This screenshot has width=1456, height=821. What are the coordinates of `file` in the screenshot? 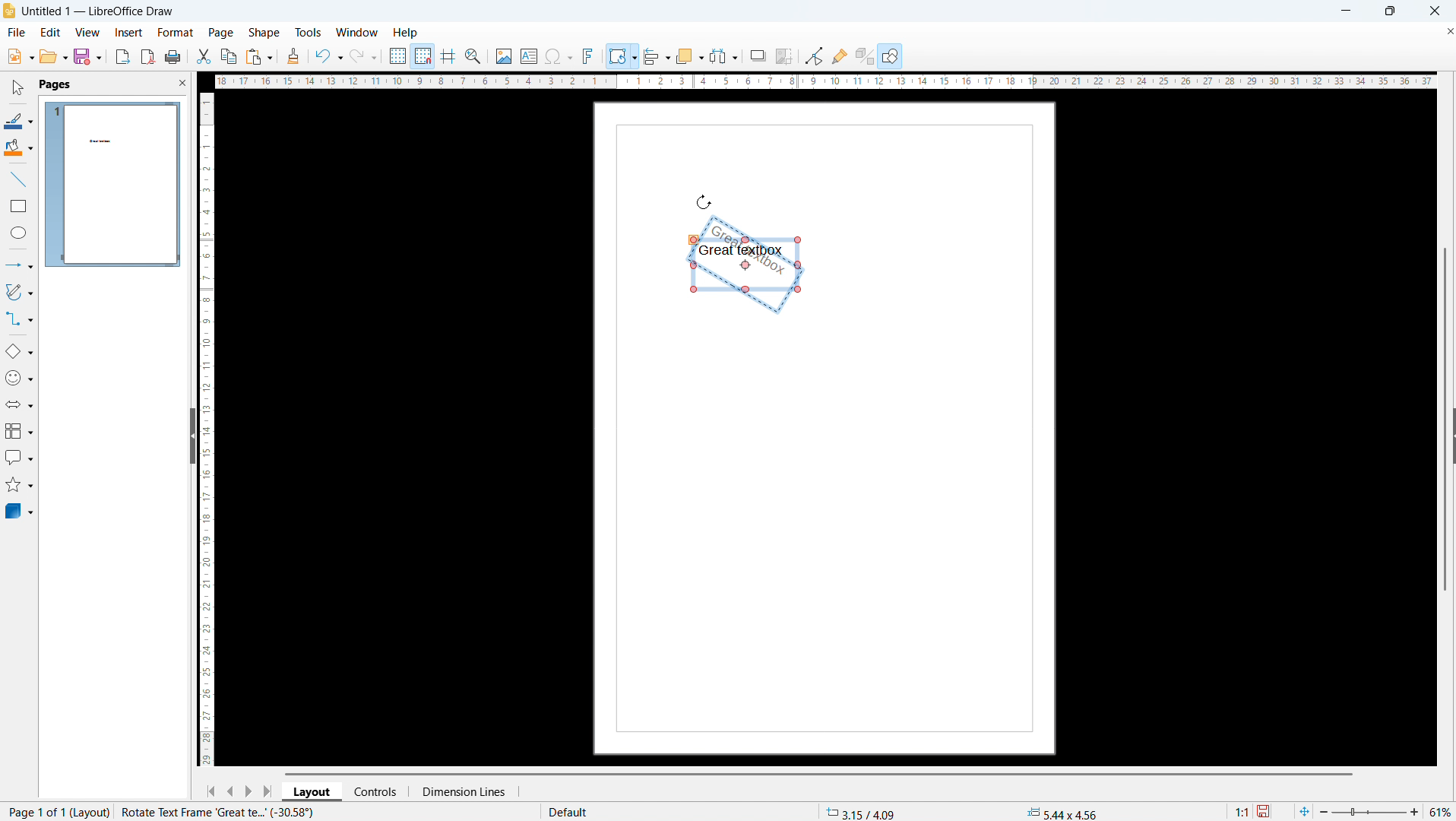 It's located at (19, 57).